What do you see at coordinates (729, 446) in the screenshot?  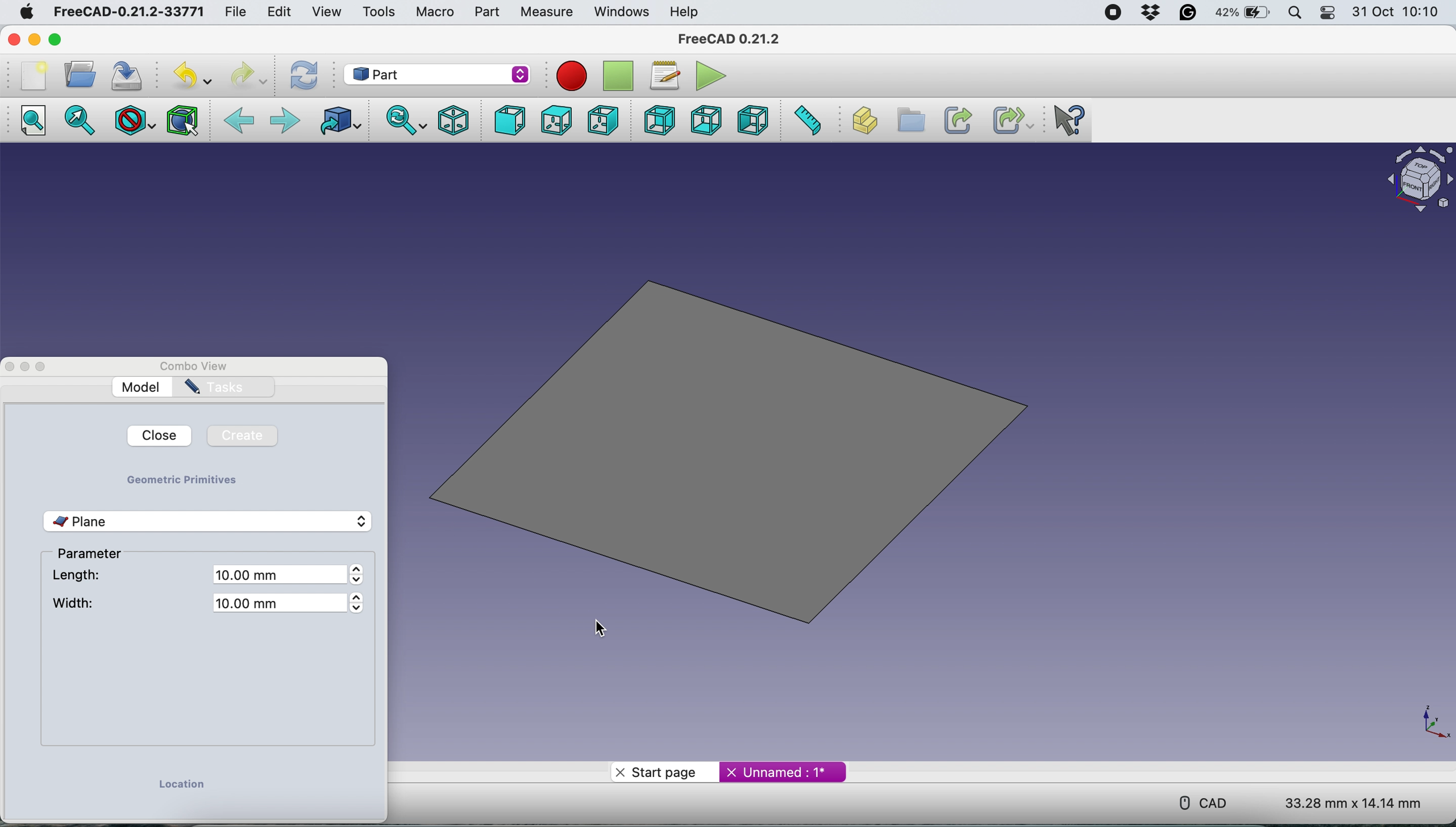 I see `plane inserted` at bounding box center [729, 446].